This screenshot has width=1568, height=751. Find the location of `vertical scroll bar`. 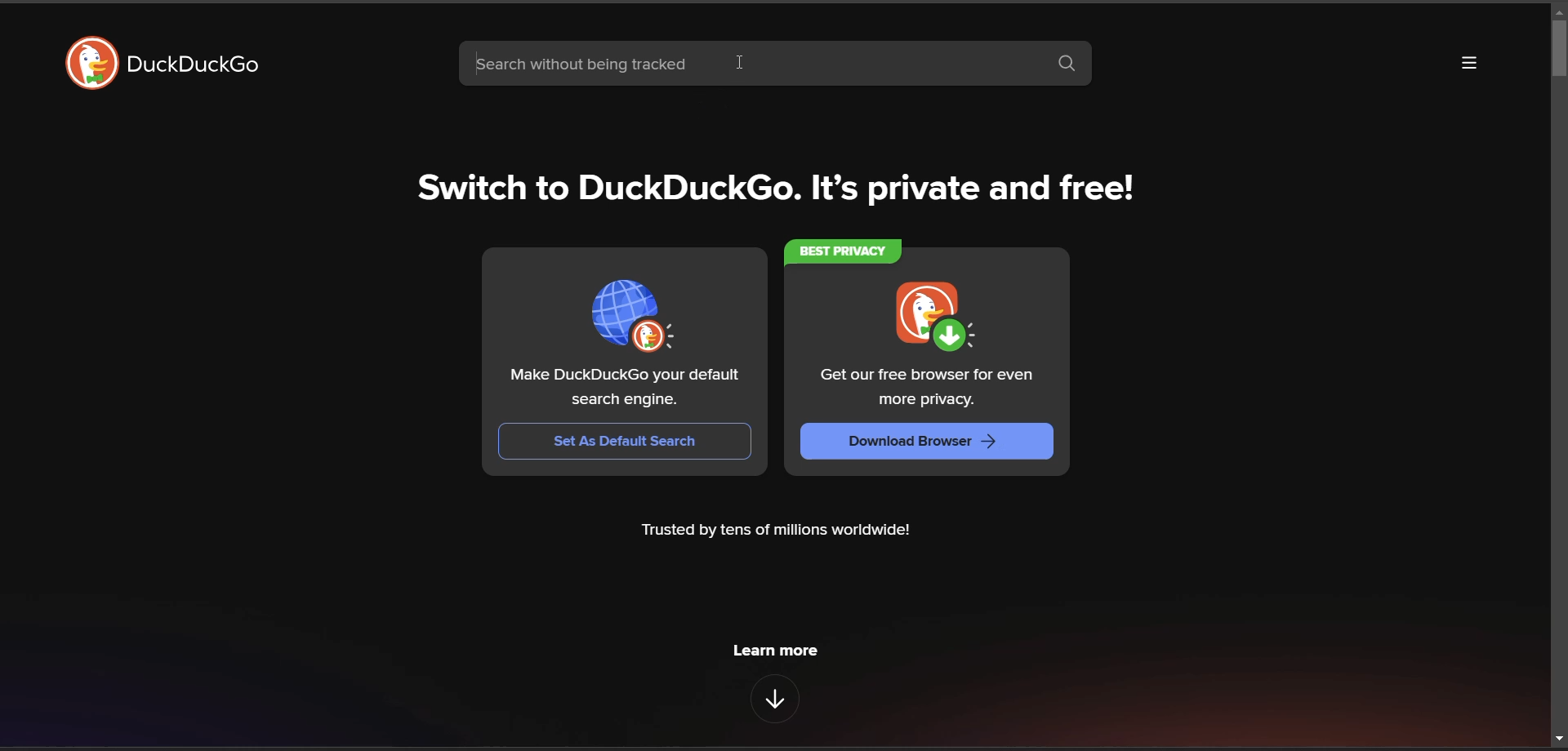

vertical scroll bar is located at coordinates (1558, 47).